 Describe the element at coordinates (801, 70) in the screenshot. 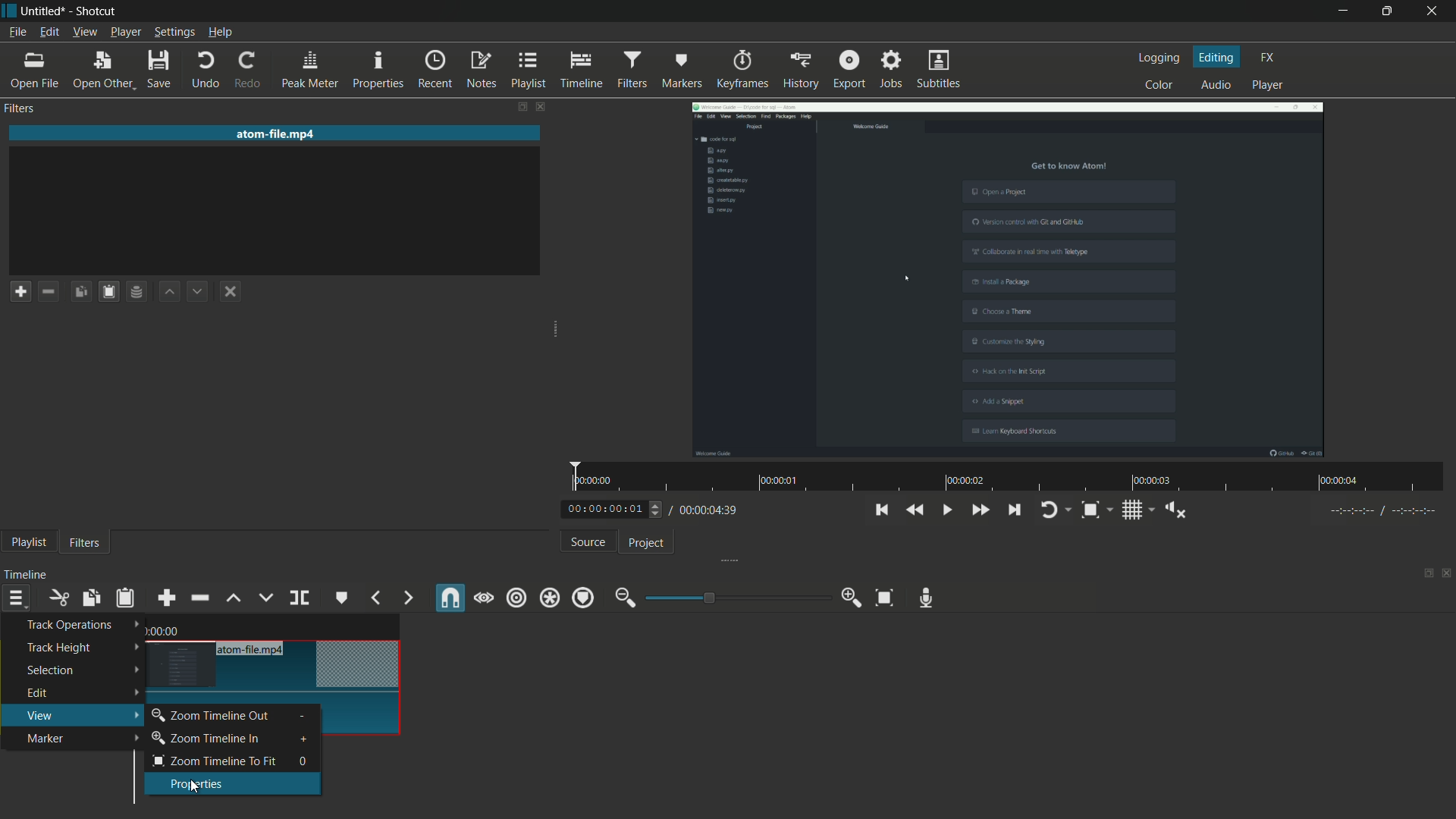

I see `history` at that location.